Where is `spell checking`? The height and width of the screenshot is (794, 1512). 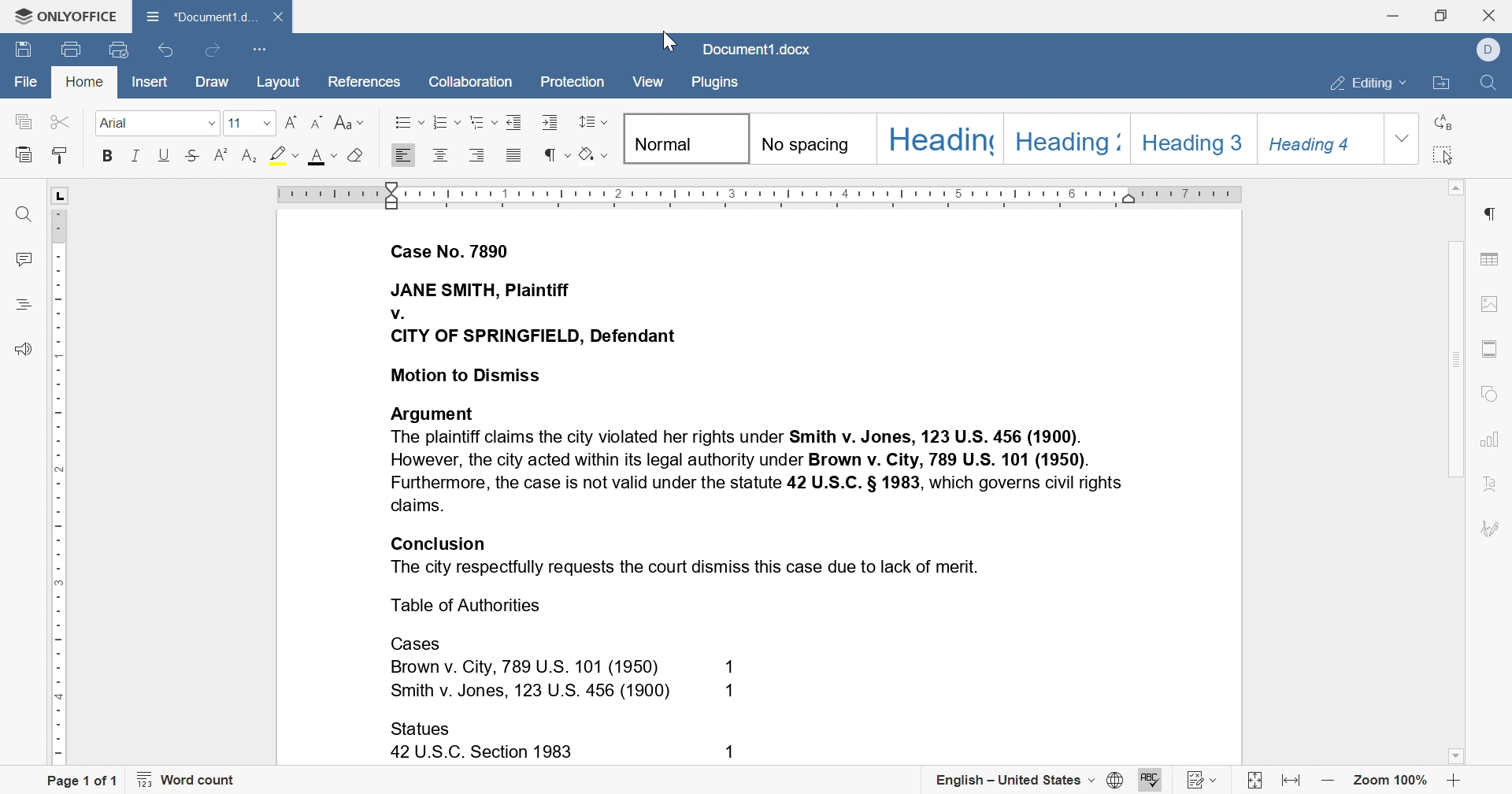 spell checking is located at coordinates (1151, 781).